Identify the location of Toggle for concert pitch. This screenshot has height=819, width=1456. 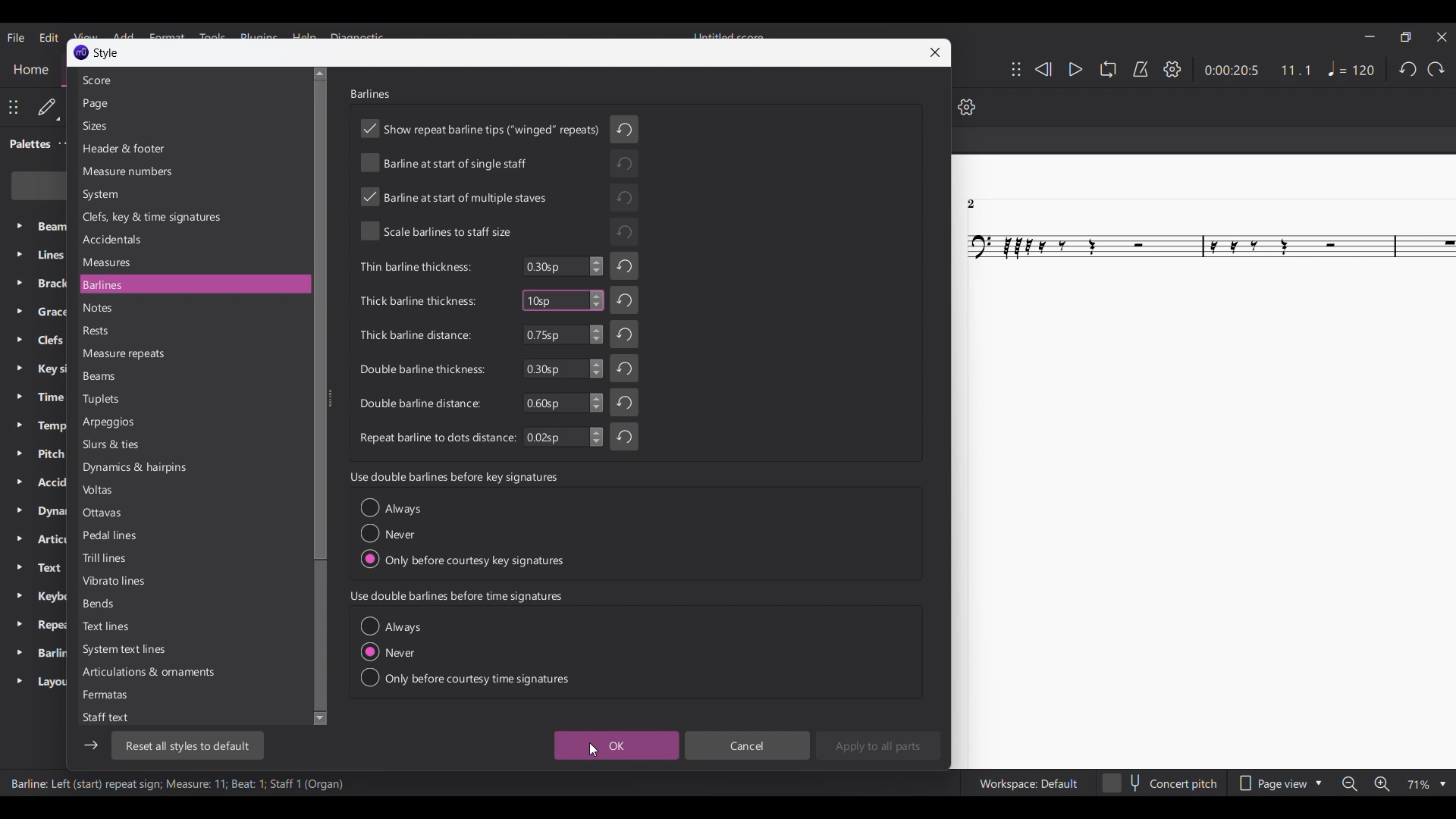
(1159, 783).